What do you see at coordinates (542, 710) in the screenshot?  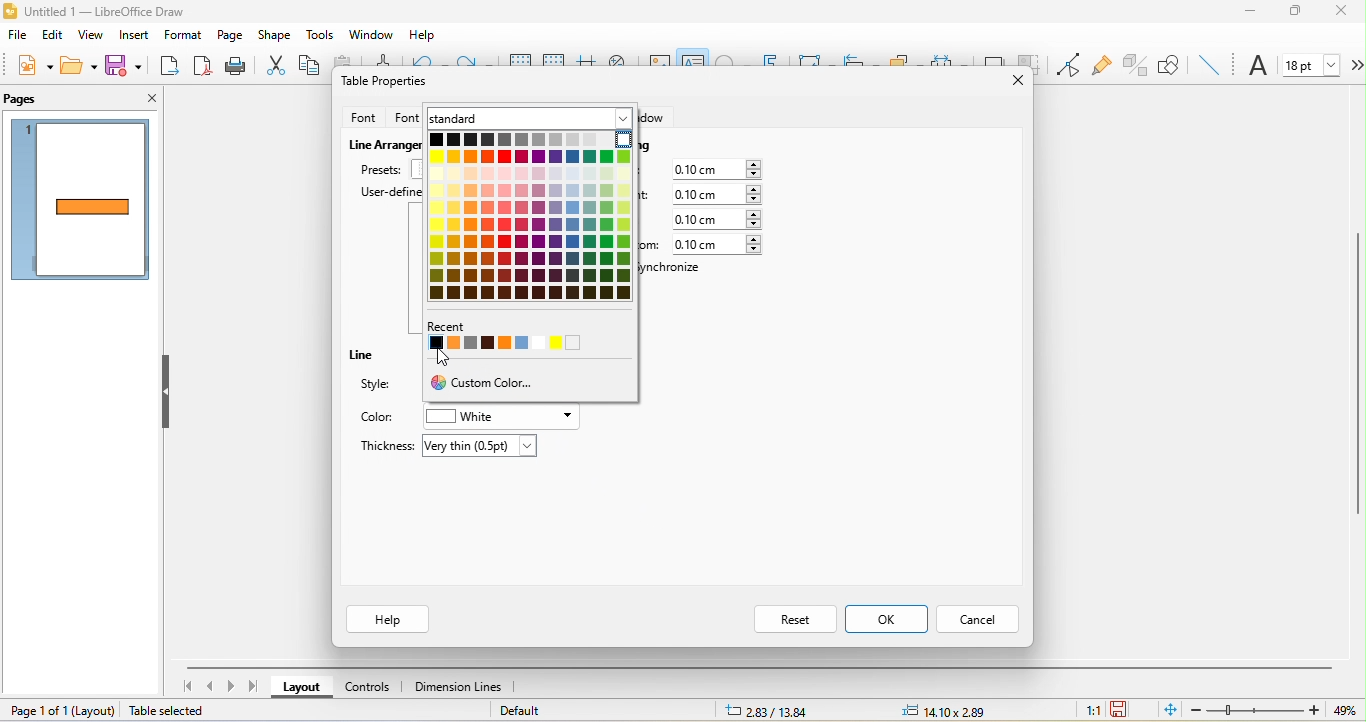 I see `default` at bounding box center [542, 710].